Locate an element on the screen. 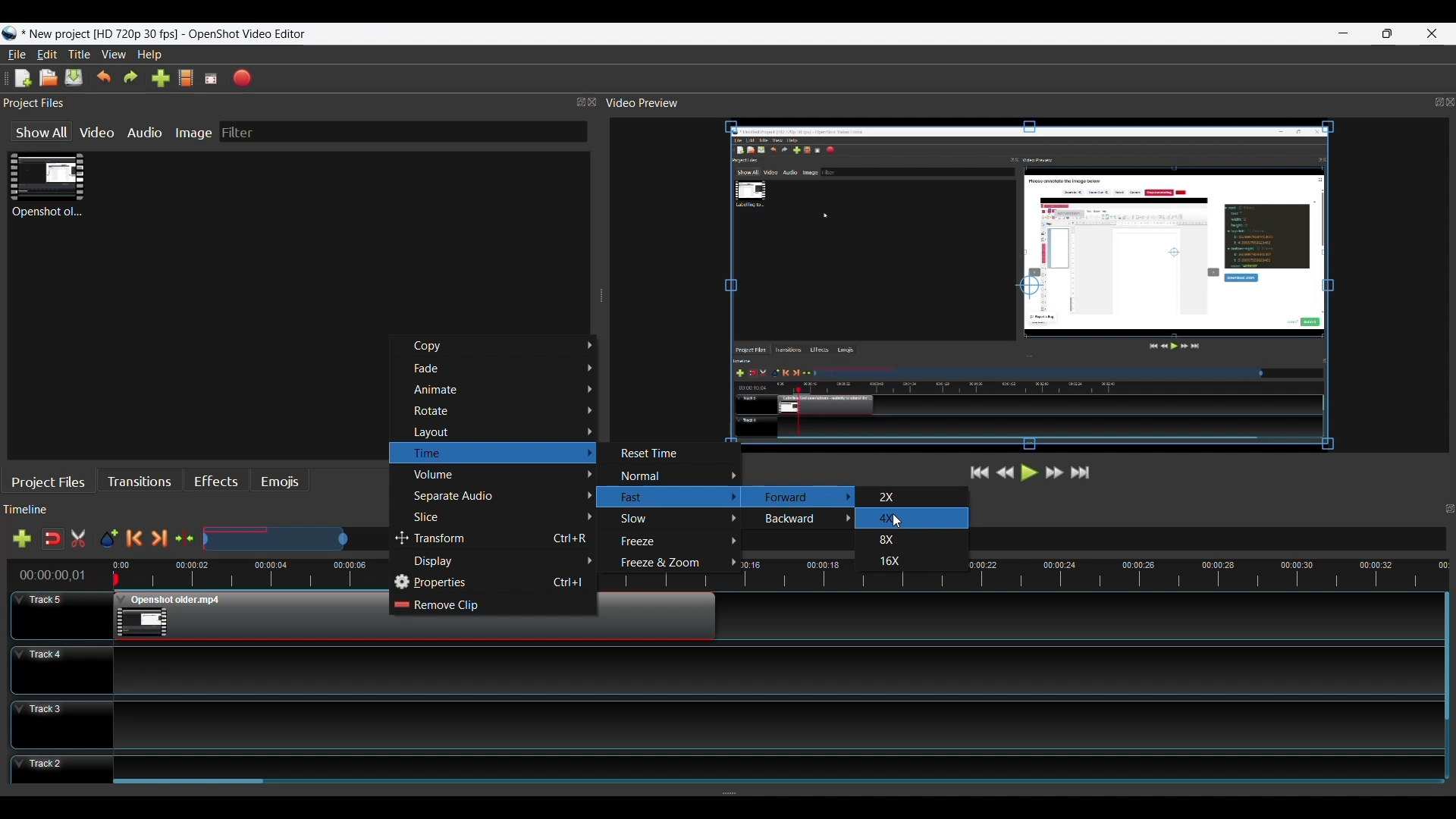 This screenshot has width=1456, height=819. Animate is located at coordinates (502, 390).